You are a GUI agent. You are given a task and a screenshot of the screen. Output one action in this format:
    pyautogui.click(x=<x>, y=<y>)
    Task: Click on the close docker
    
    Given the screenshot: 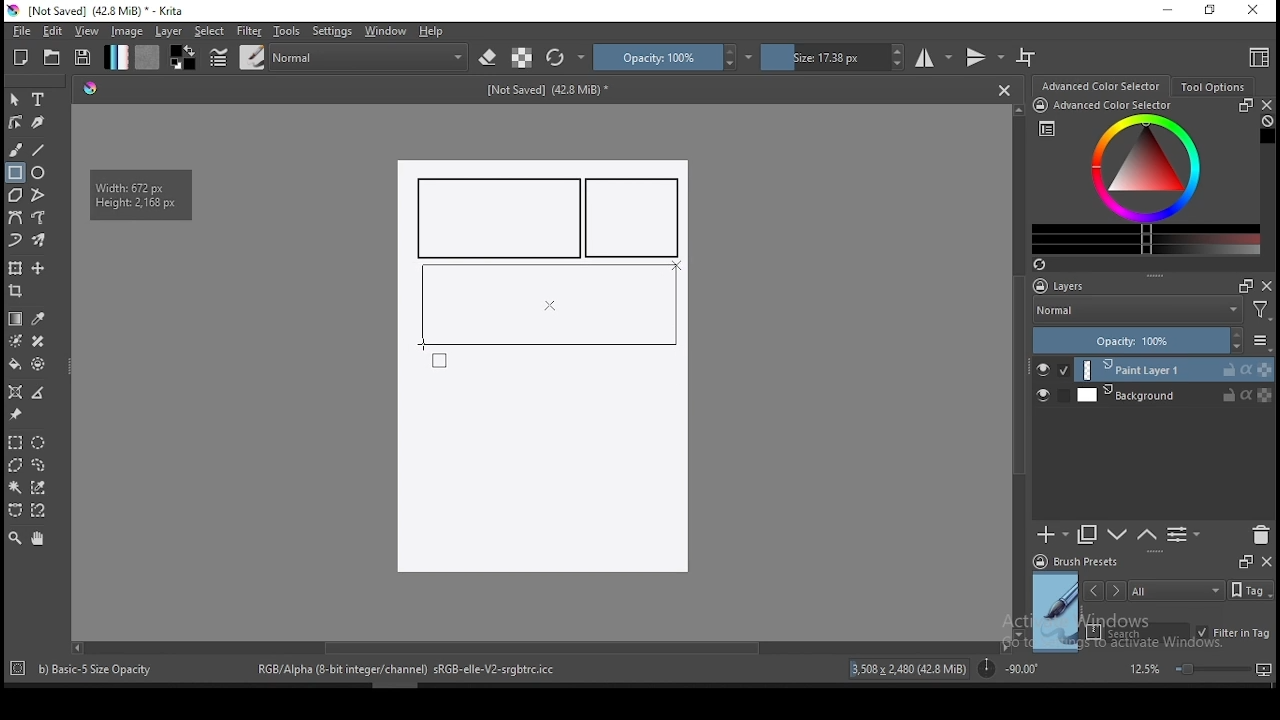 What is the action you would take?
    pyautogui.click(x=1266, y=560)
    